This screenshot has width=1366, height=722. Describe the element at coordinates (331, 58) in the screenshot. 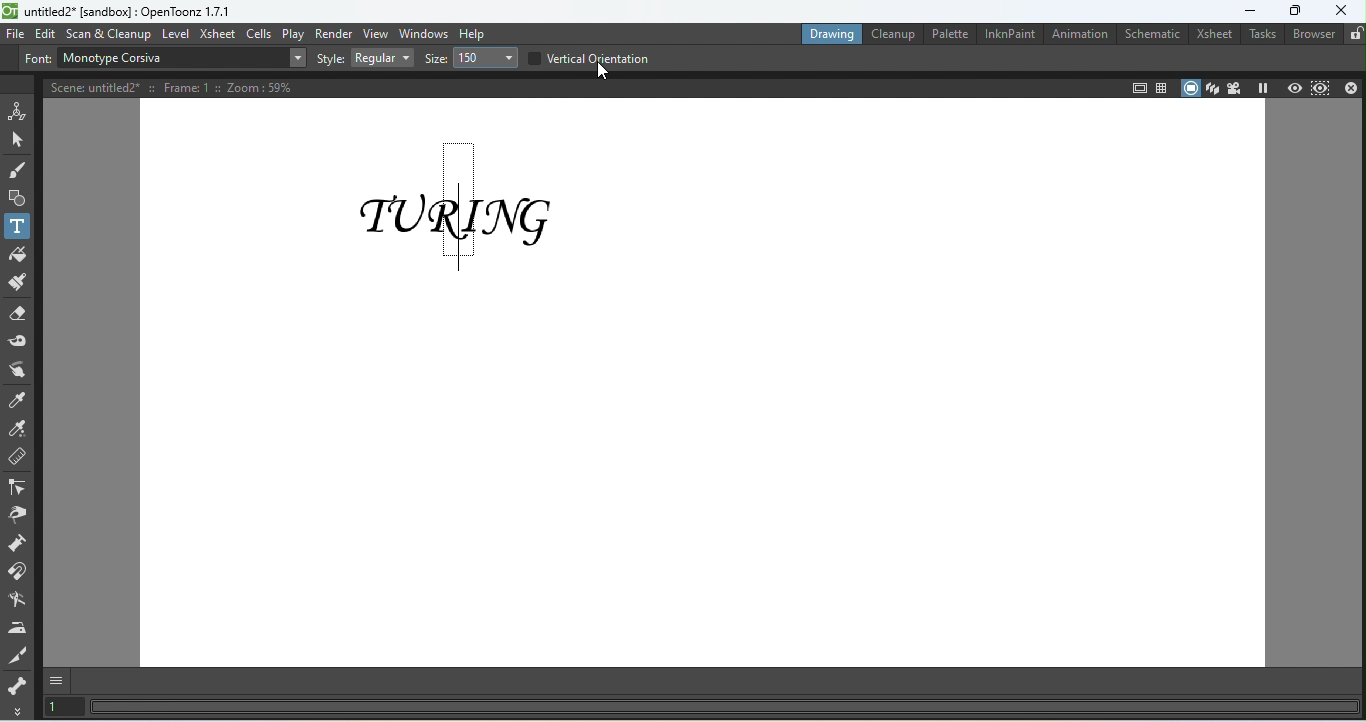

I see `Style` at that location.